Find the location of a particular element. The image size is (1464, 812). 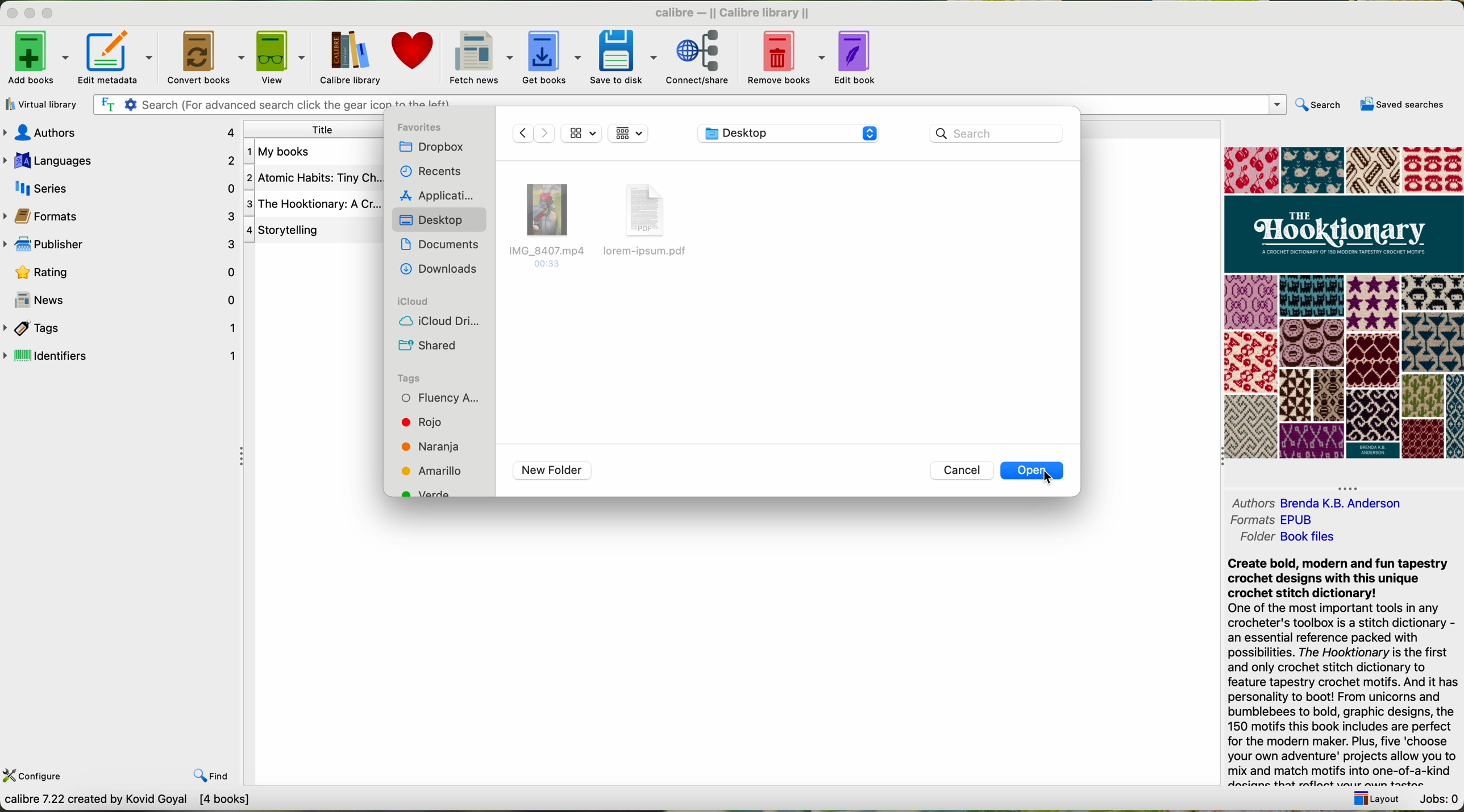

Create bold, modern and fun tapestry
crochet designs with this unique
crochet stitch dictionary!

One of the most important tools in any
crocheter's toolbox is a stitch dictionary -
an essential reference packed with
possibilities. The Hooktionary is the first
and only crochet stitch dictionary to
feature tapestry crochet motifs. And it has
personality to boot! From unicorns and
bumblebees to bold, graphic designs, the
150 motifs this book includes are perfect
for the modern maker. Plus, five ‘choose
your own adventure' projects allow you to
mix and match motifs into one-of-a-kind
anise Slant mwablasnt 2am 00 Siam Pandan is located at coordinates (1334, 669).